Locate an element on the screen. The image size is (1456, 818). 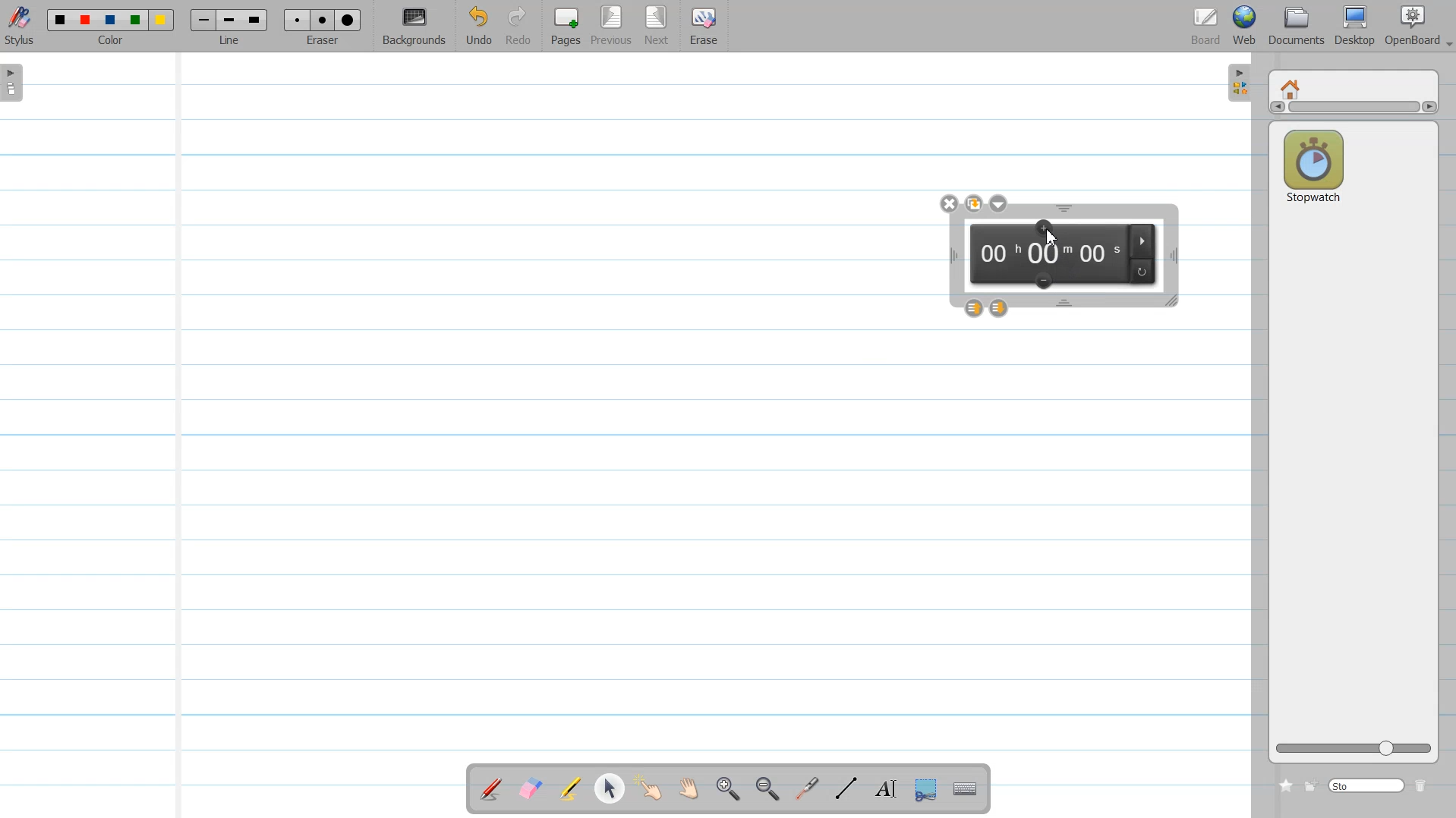
Home window is located at coordinates (1292, 87).